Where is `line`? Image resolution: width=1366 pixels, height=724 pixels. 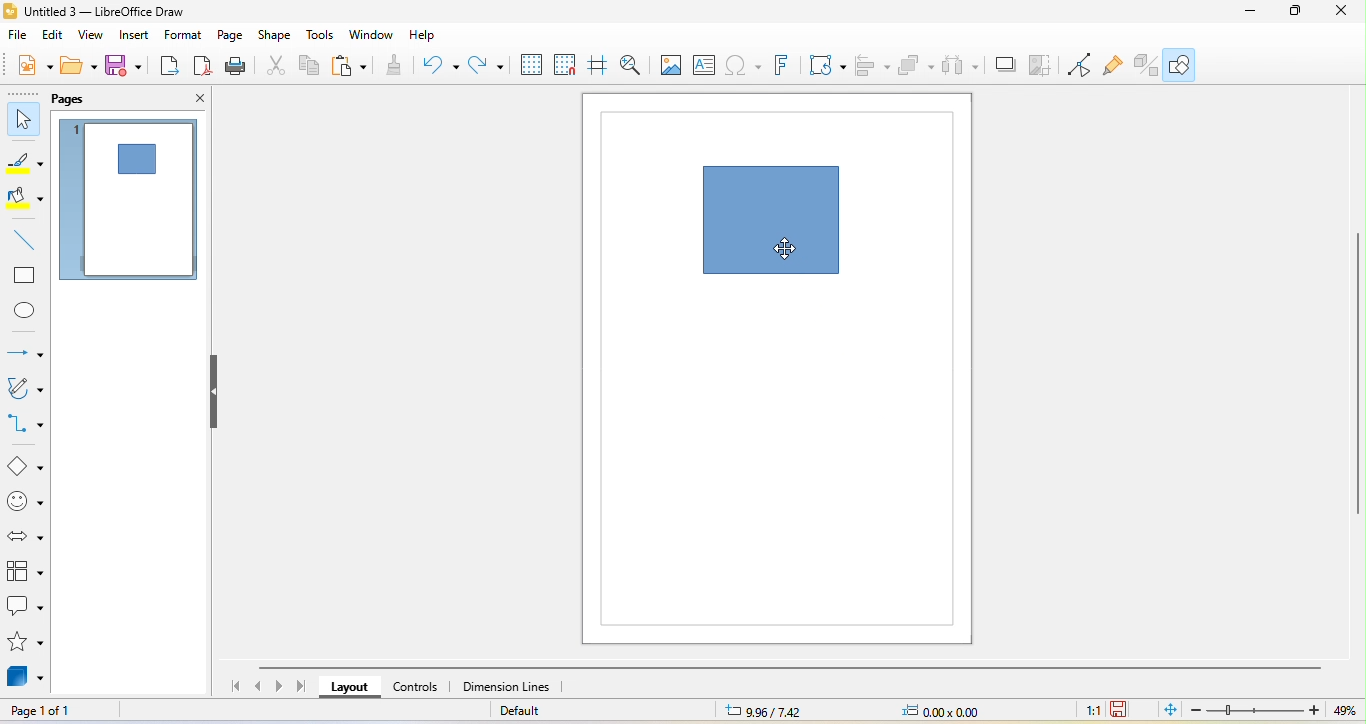 line is located at coordinates (20, 240).